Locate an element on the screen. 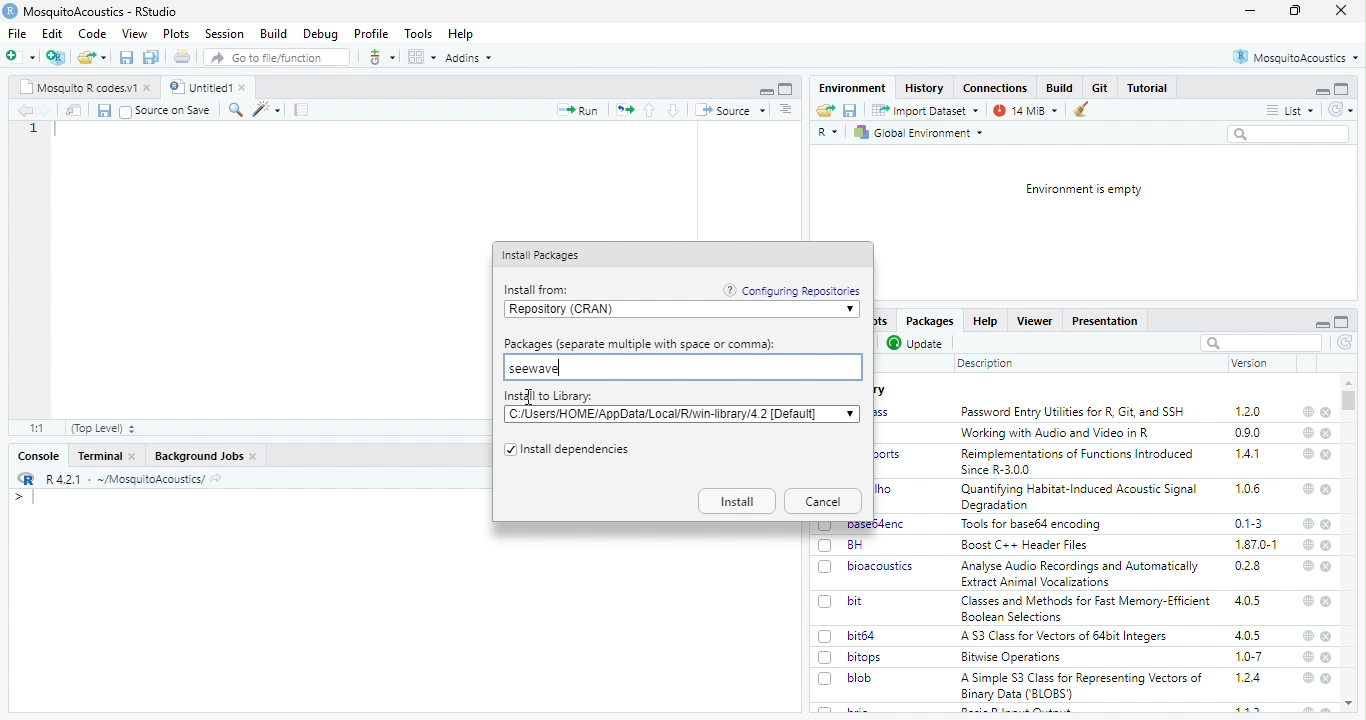 This screenshot has width=1366, height=720. Install from: is located at coordinates (539, 290).